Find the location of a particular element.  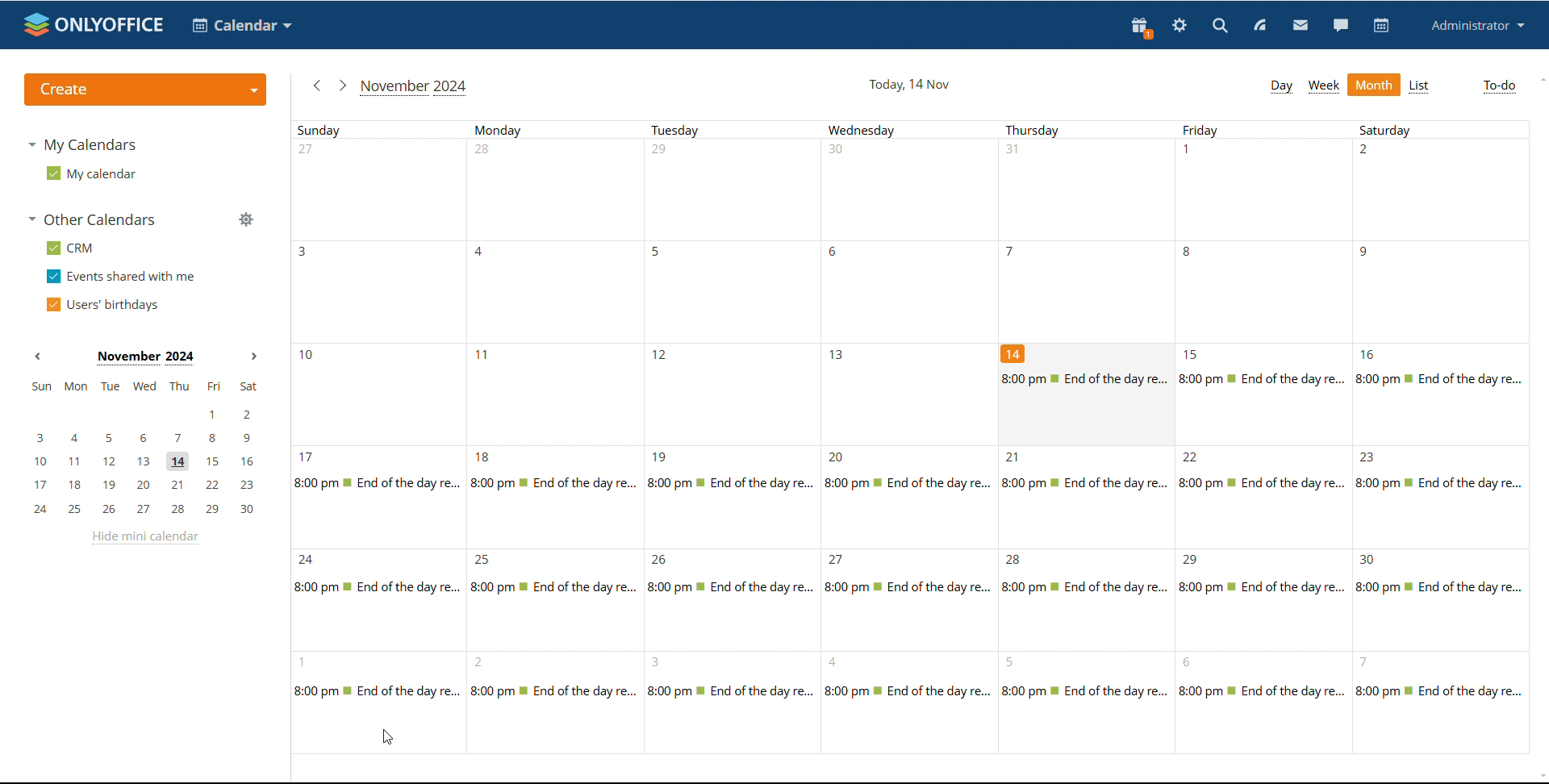

current month is located at coordinates (415, 87).